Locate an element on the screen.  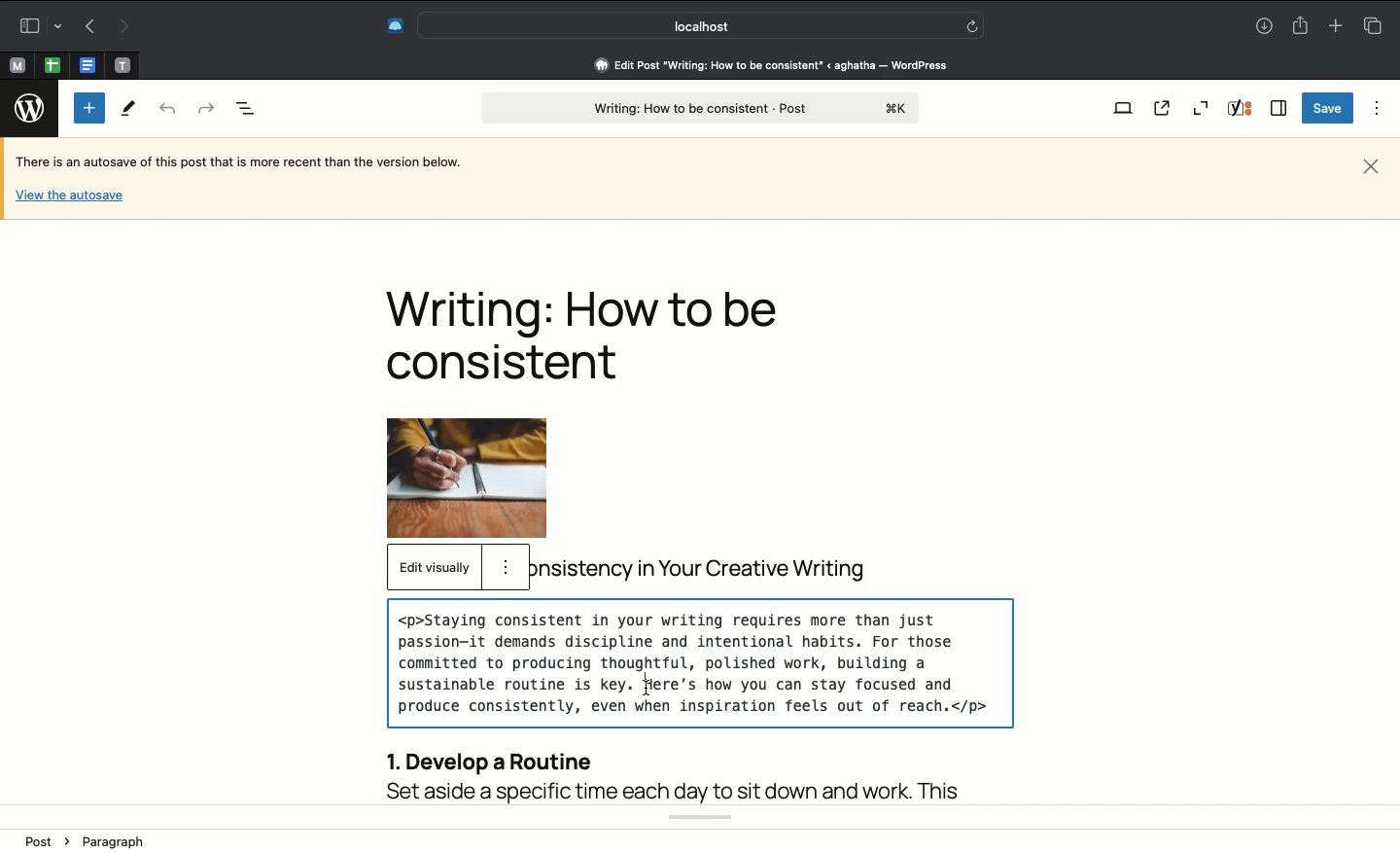
Redo is located at coordinates (205, 106).